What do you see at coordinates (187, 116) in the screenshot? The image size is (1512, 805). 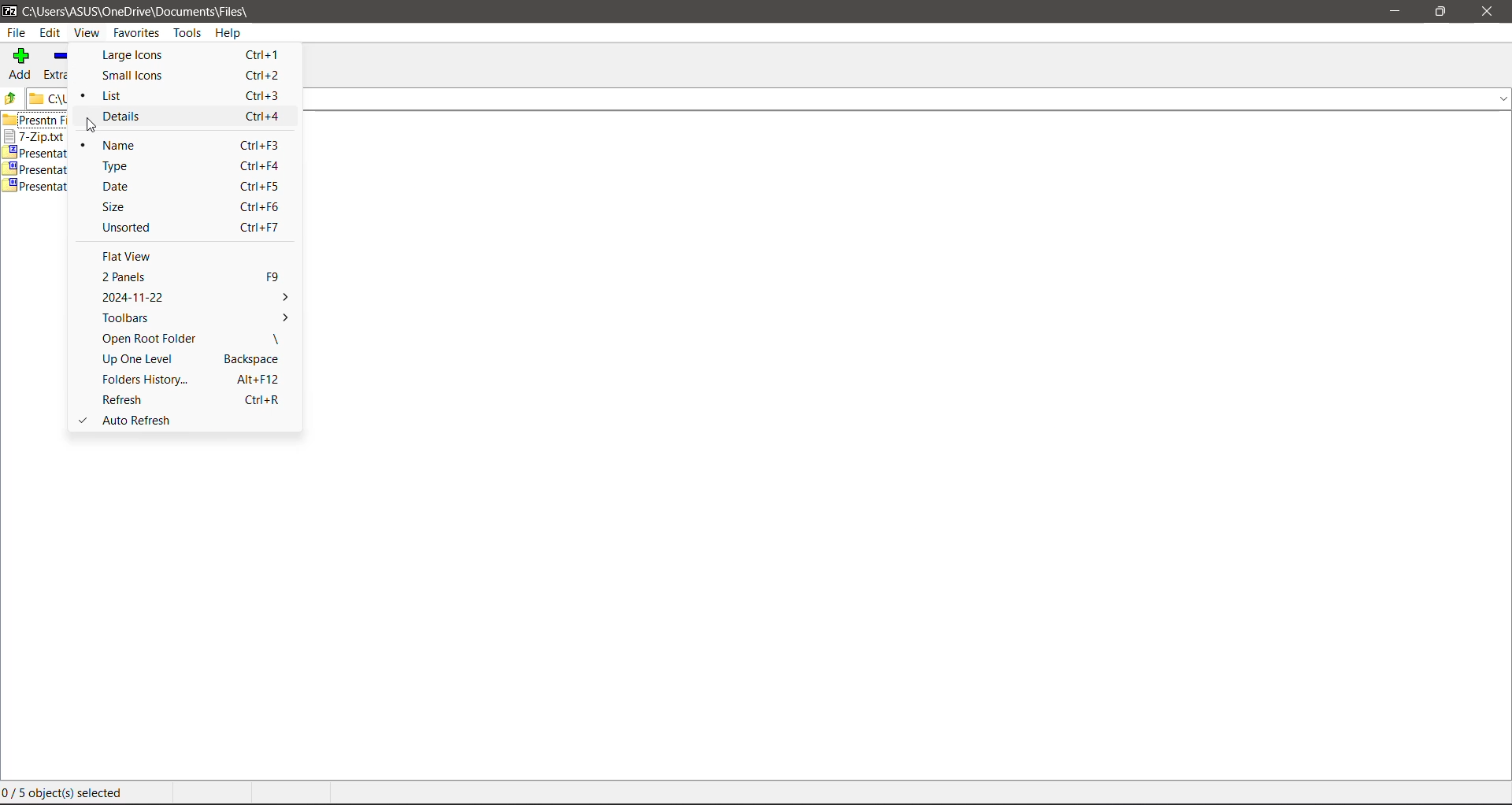 I see `Details` at bounding box center [187, 116].